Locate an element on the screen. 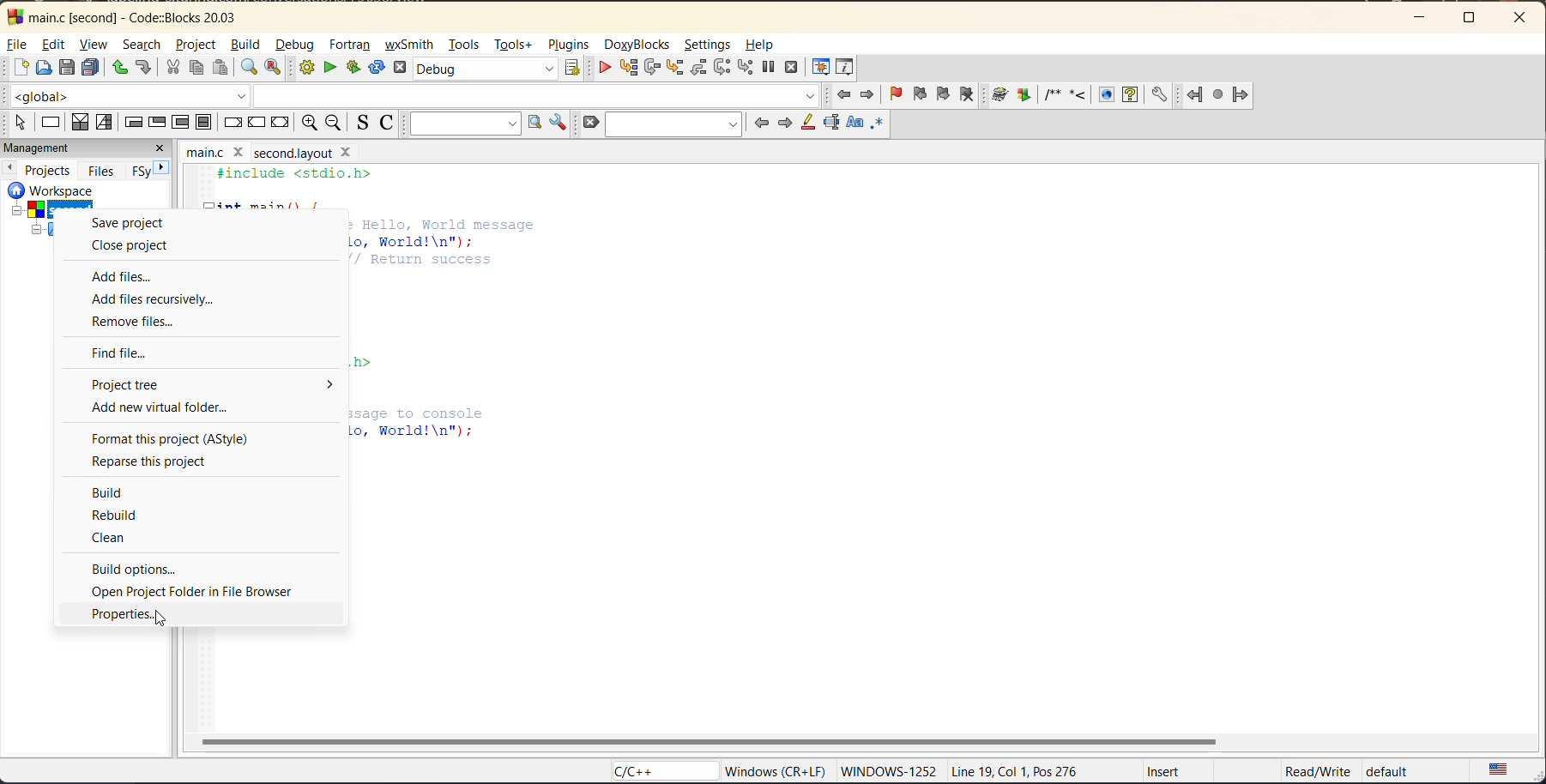 This screenshot has width=1546, height=784. tools+ is located at coordinates (516, 47).